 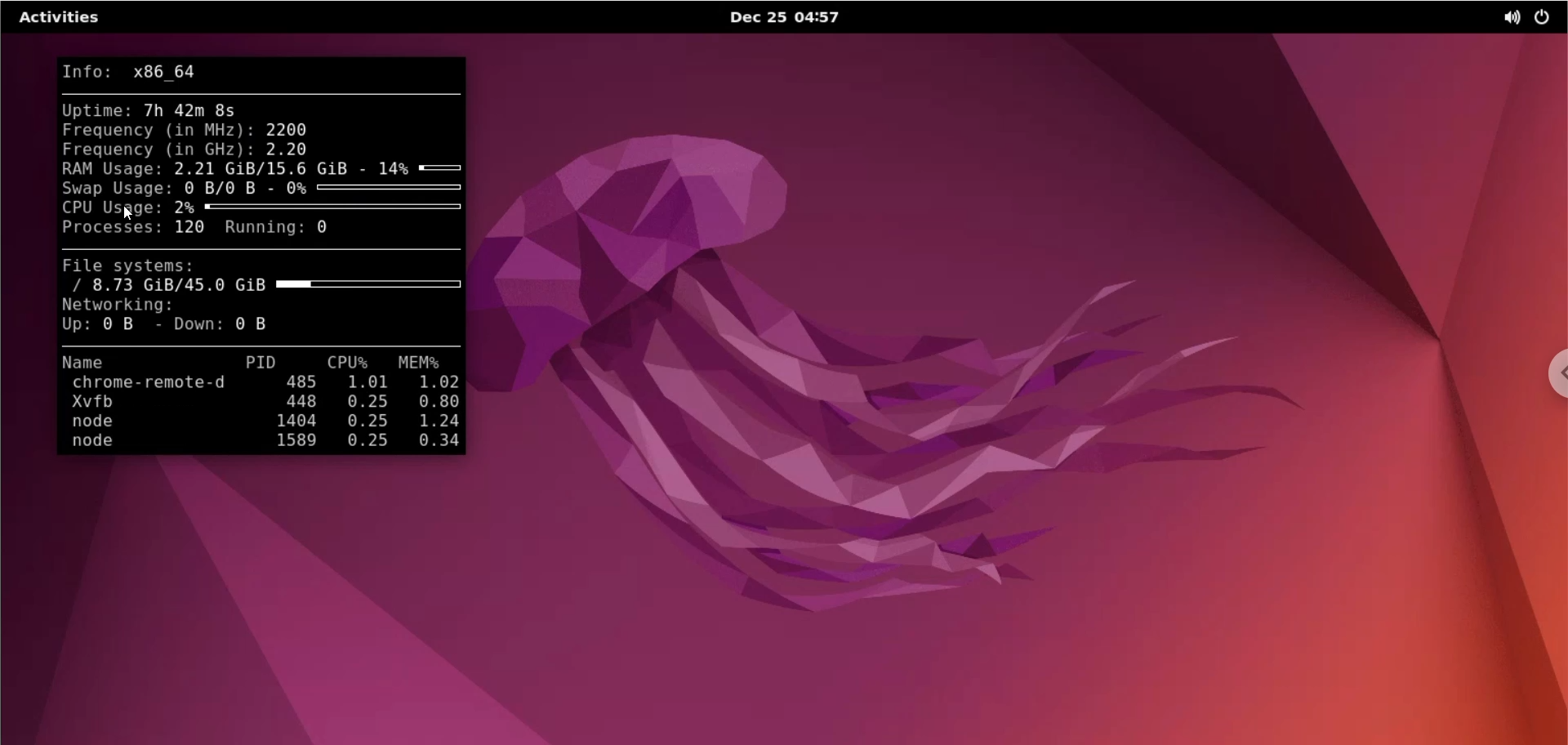 I want to click on MEM%, so click(x=439, y=416).